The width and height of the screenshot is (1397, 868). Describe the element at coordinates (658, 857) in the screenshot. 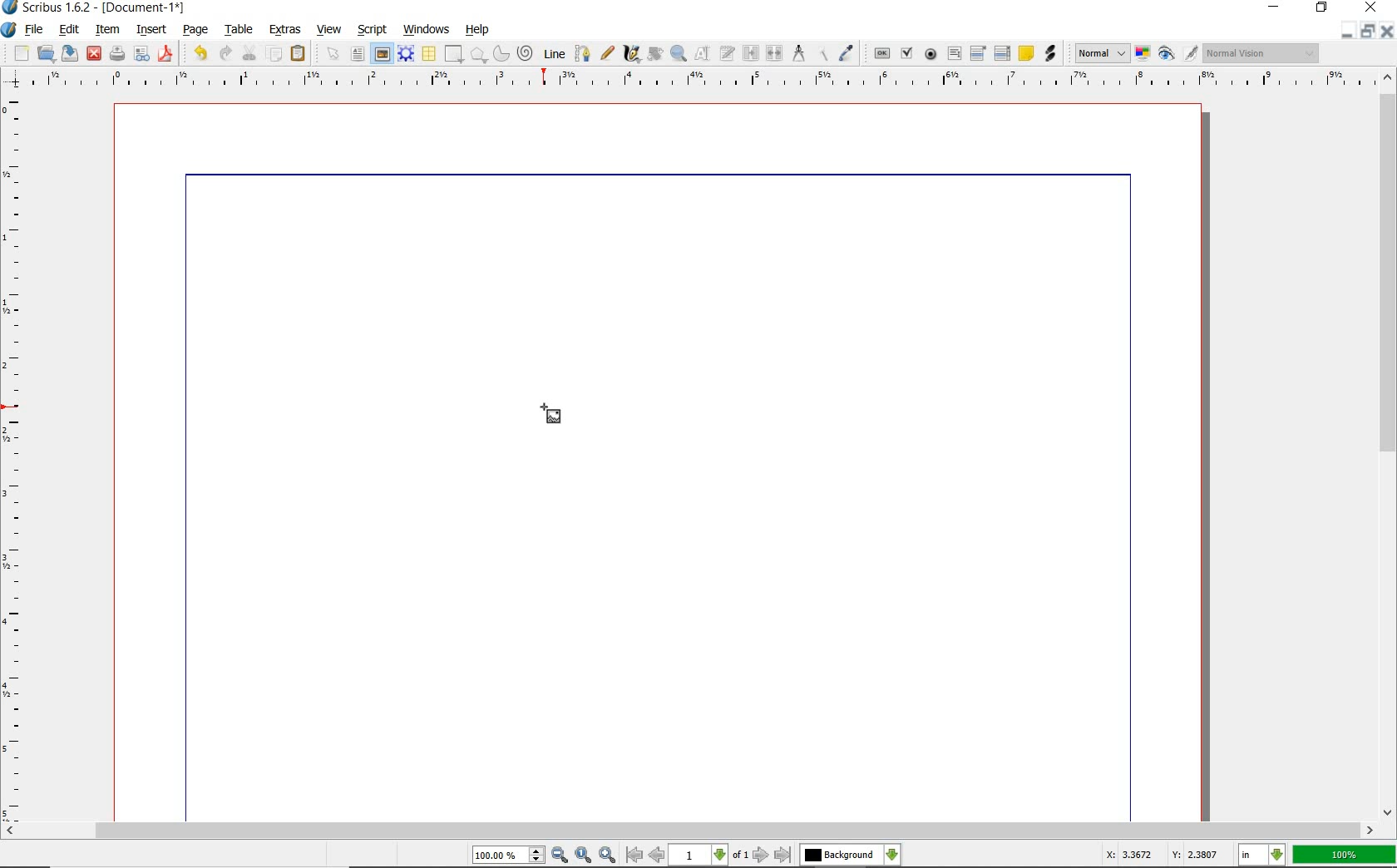

I see `Previous Page` at that location.